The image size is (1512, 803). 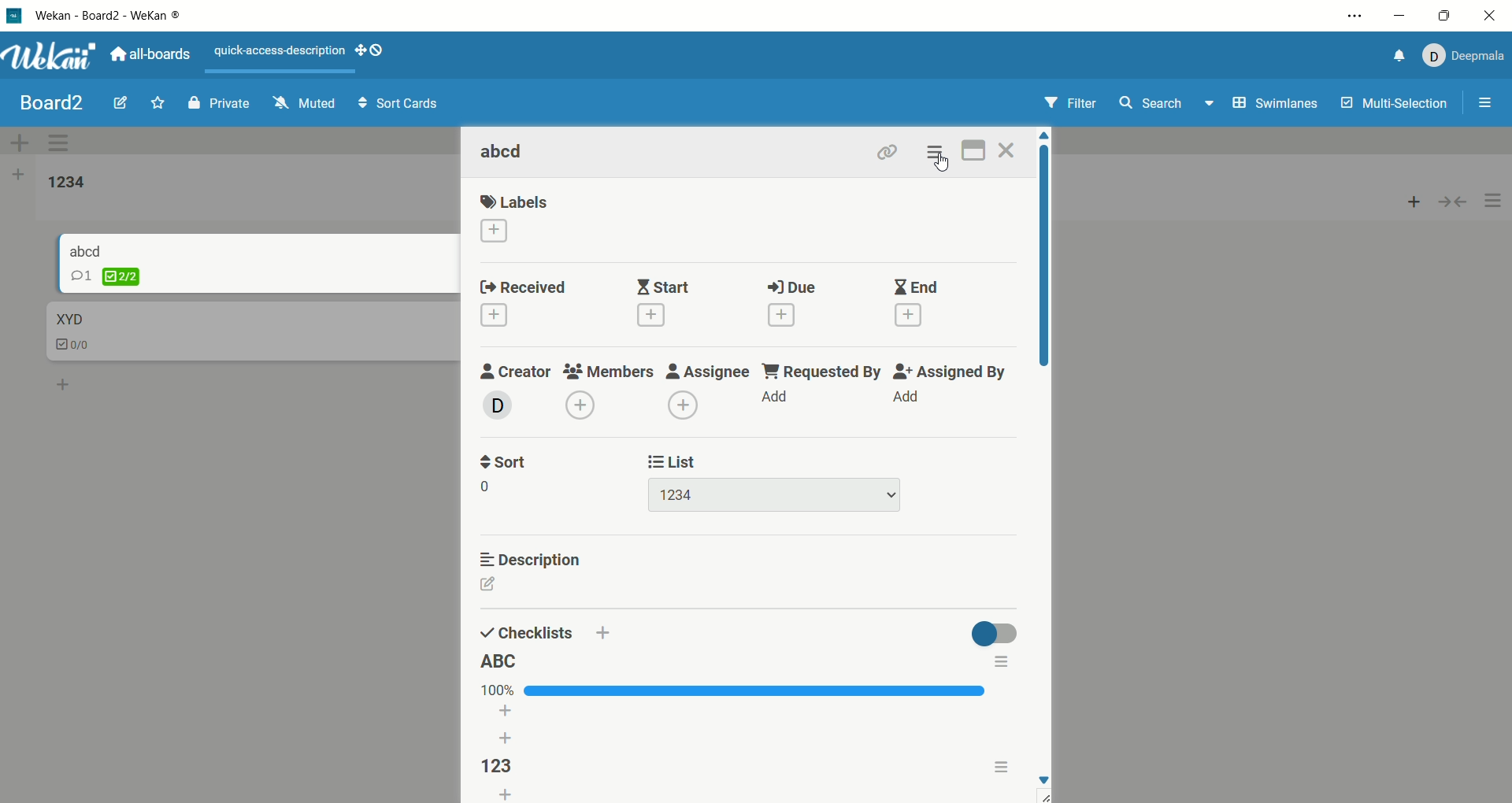 What do you see at coordinates (124, 278) in the screenshot?
I see `checklist` at bounding box center [124, 278].